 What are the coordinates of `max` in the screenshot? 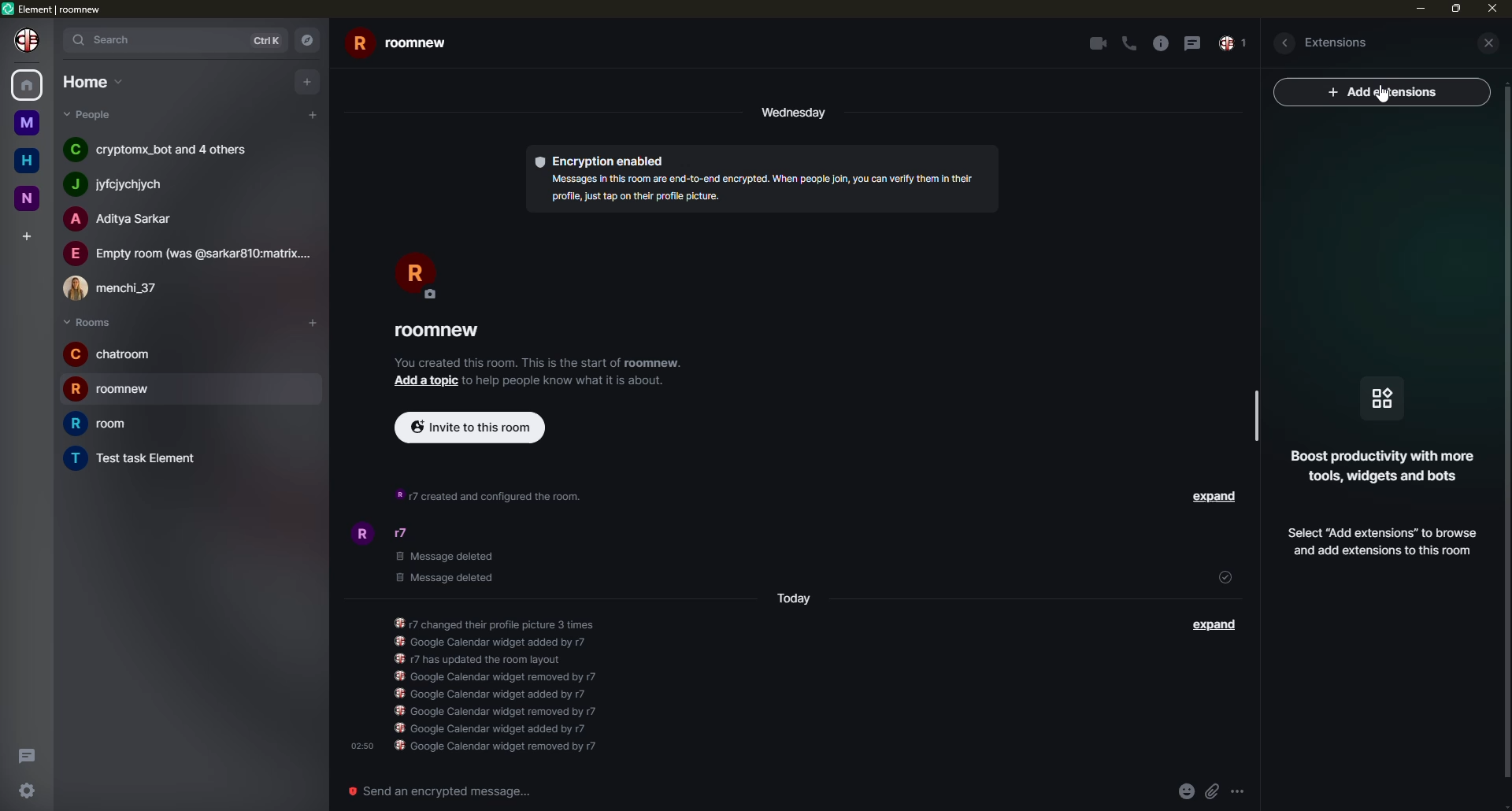 It's located at (1454, 10).